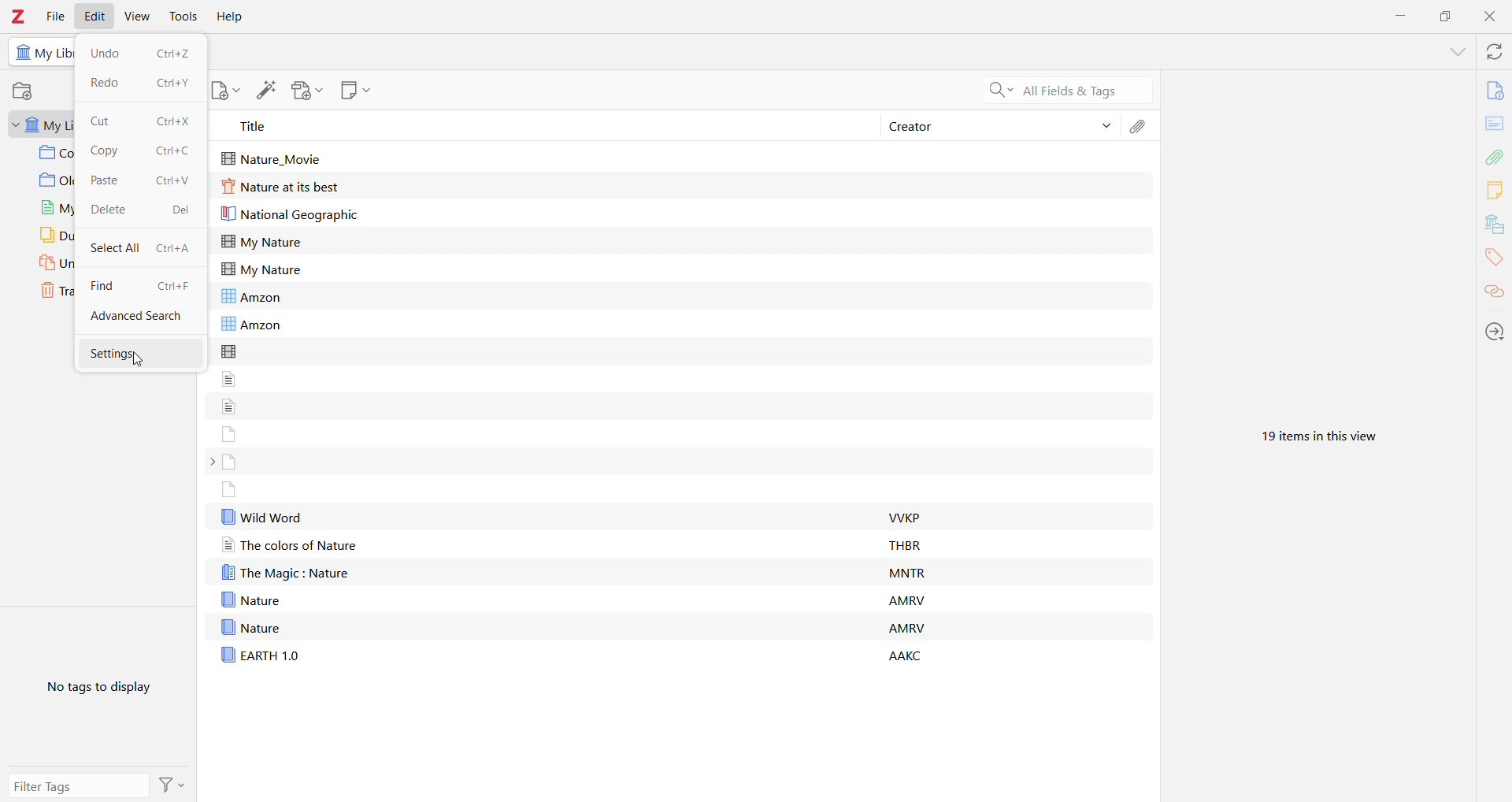  I want to click on Sync with zotero.org, so click(1493, 51).